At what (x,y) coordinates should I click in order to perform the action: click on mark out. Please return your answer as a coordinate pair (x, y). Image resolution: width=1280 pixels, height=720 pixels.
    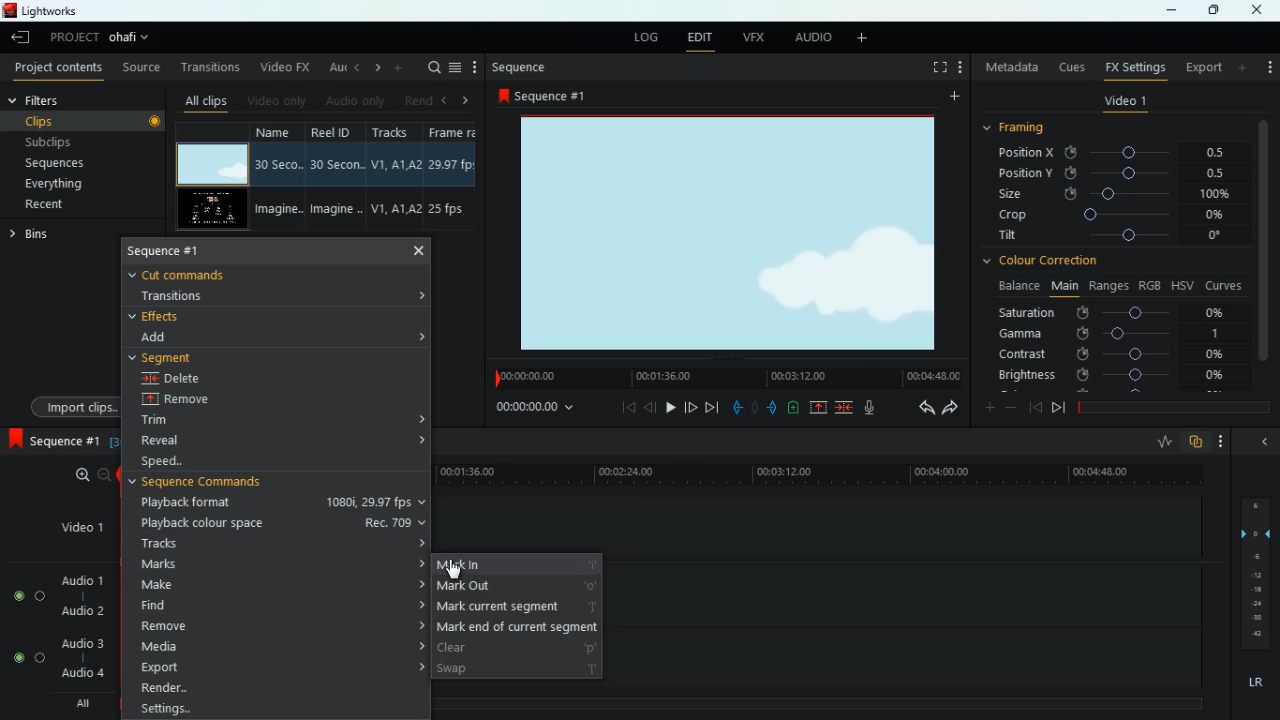
    Looking at the image, I should click on (519, 586).